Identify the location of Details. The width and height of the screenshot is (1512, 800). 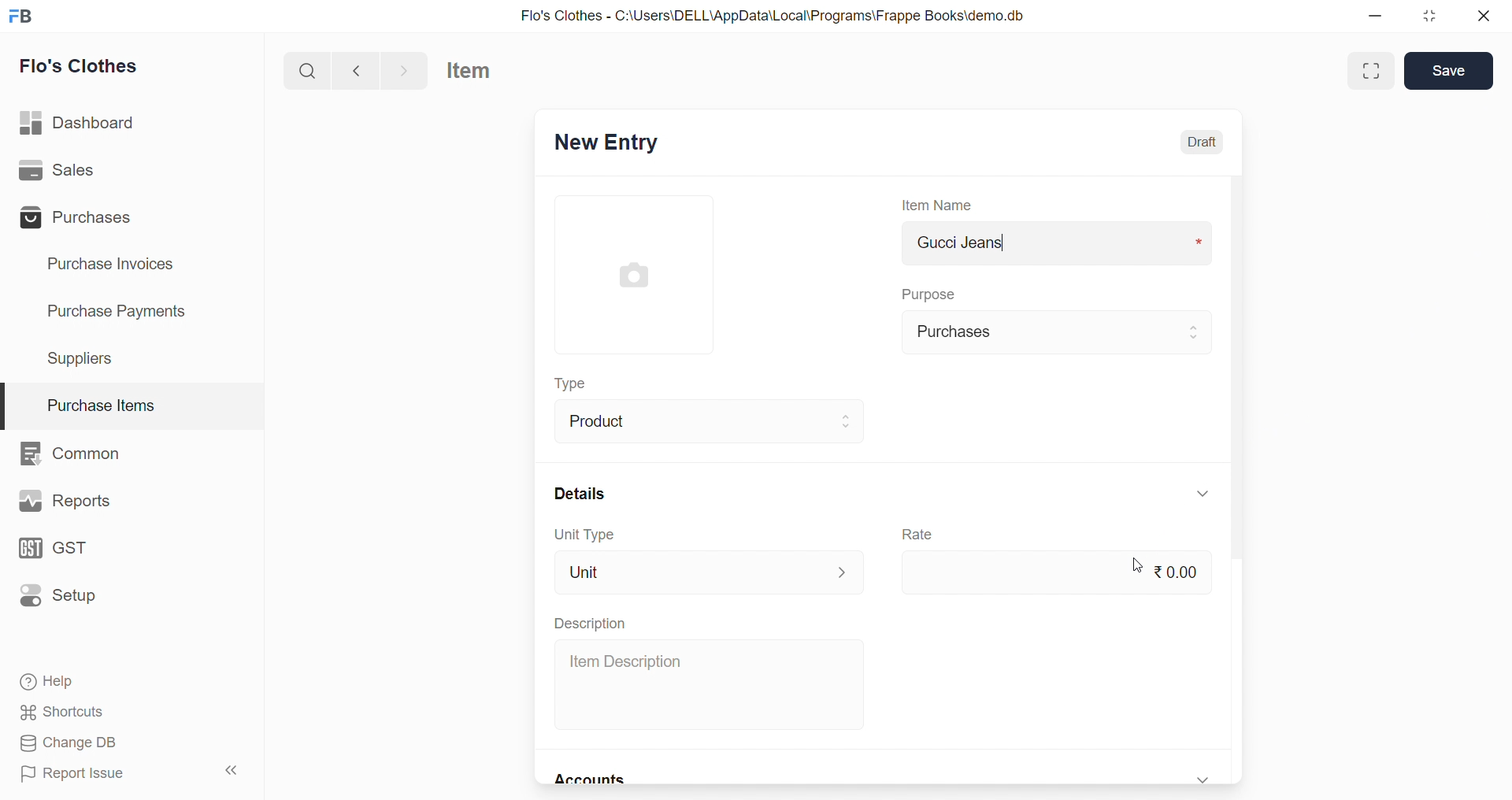
(576, 493).